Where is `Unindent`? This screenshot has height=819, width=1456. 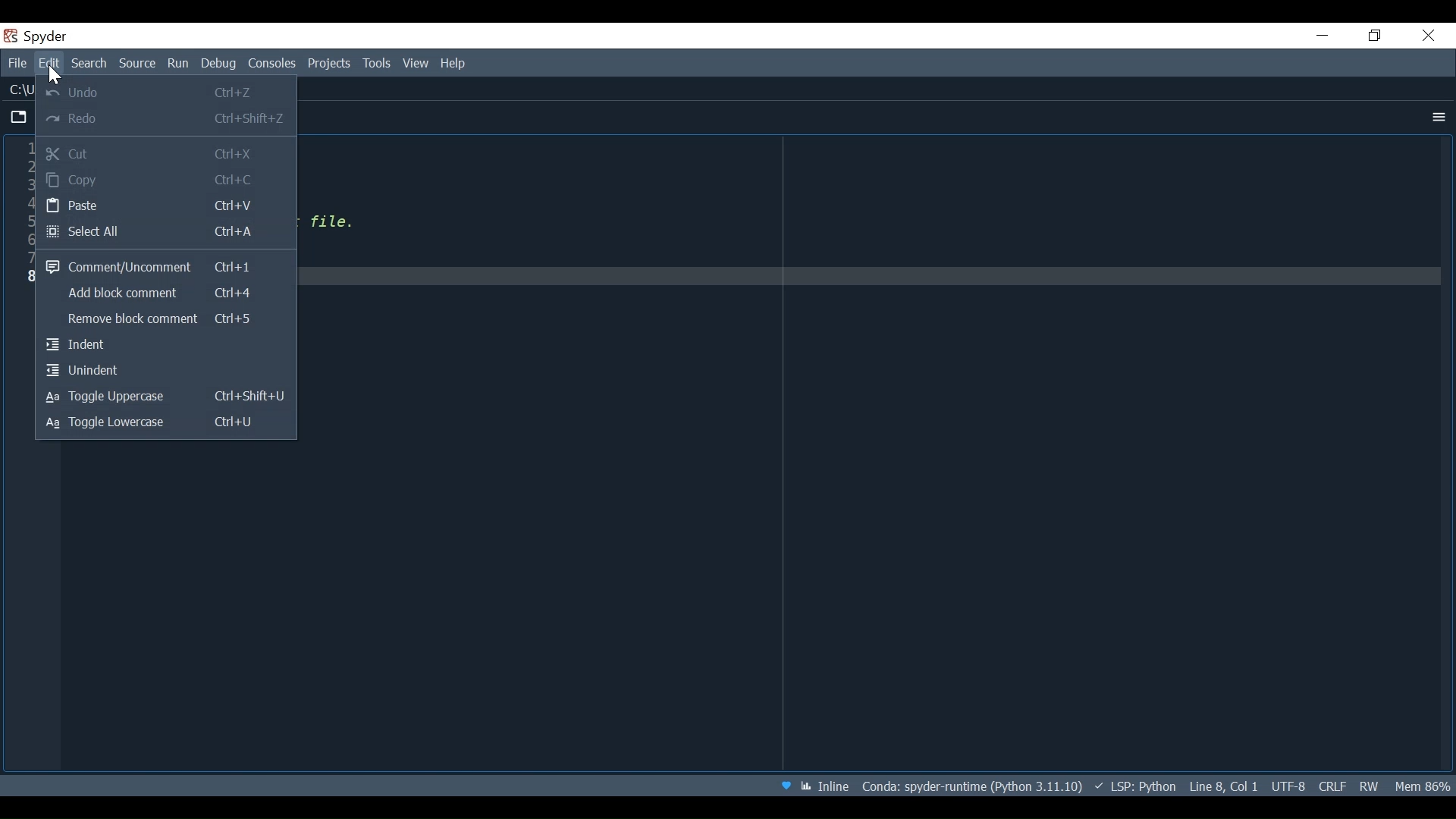 Unindent is located at coordinates (165, 371).